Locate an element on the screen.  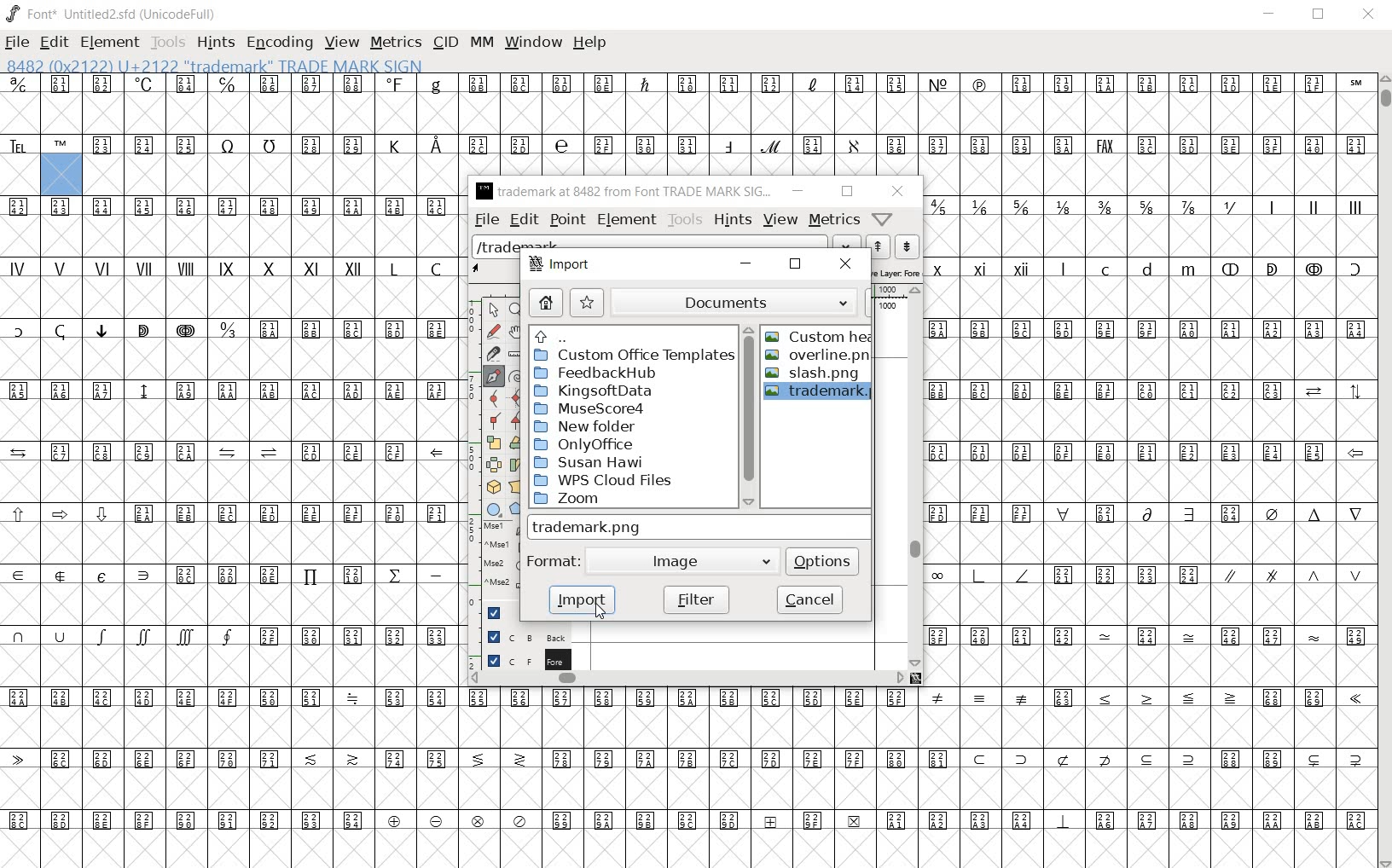
measure a distance, angle between points is located at coordinates (517, 356).